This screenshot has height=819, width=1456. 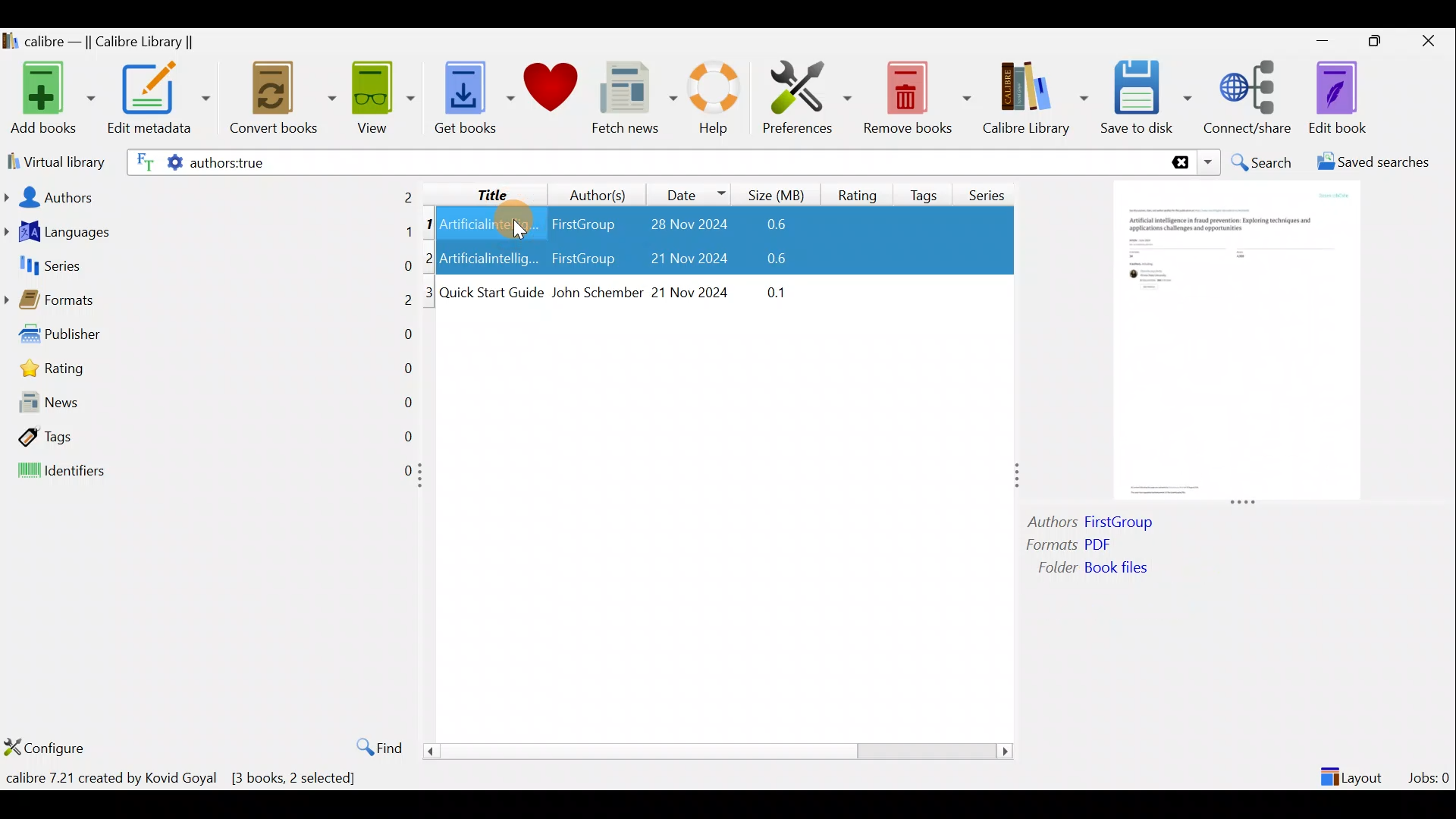 I want to click on 21 Nov 2024, so click(x=678, y=260).